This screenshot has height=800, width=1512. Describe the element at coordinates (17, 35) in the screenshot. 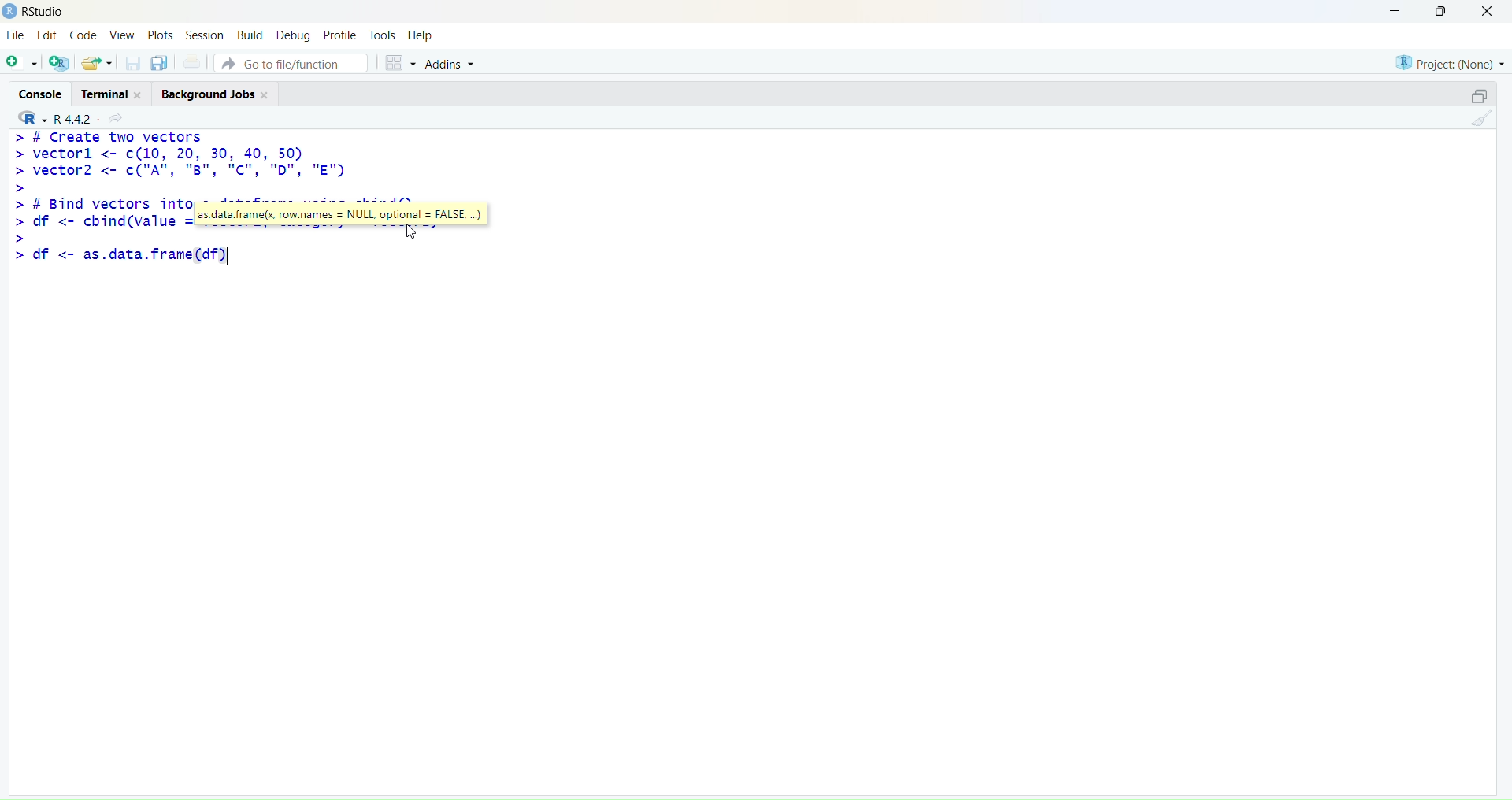

I see `File` at that location.